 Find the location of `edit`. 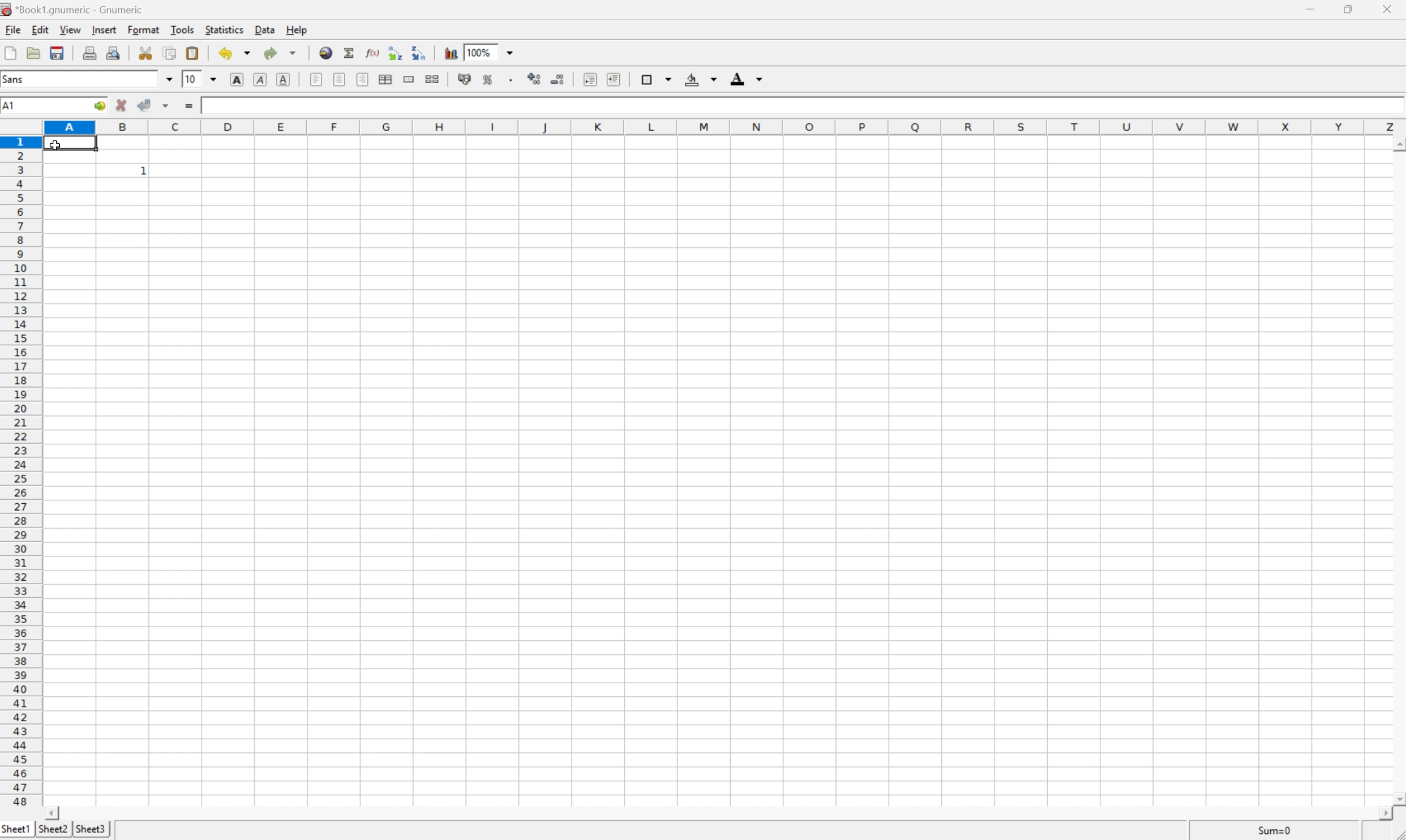

edit is located at coordinates (41, 31).